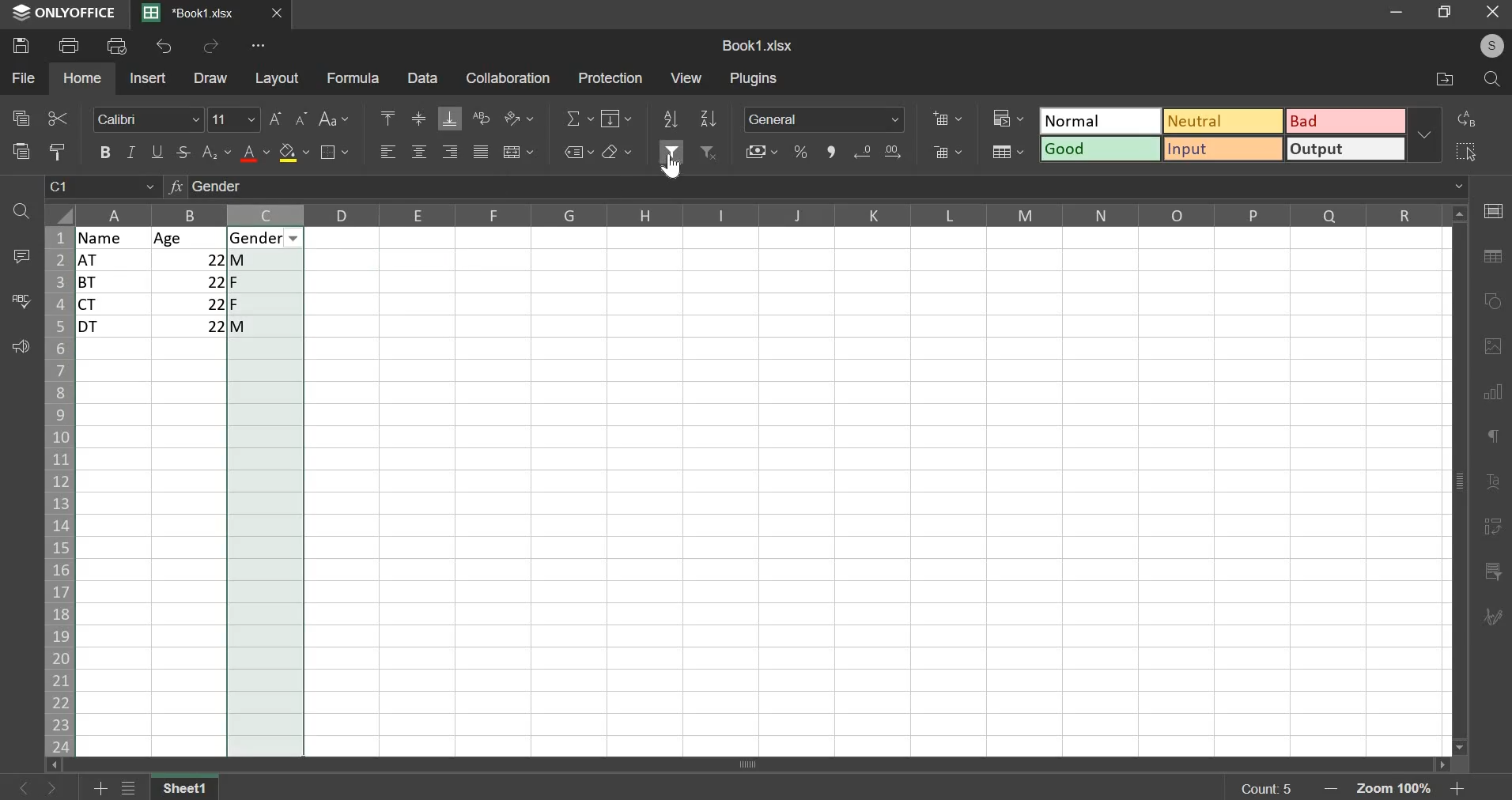 Image resolution: width=1512 pixels, height=800 pixels. I want to click on at, so click(113, 260).